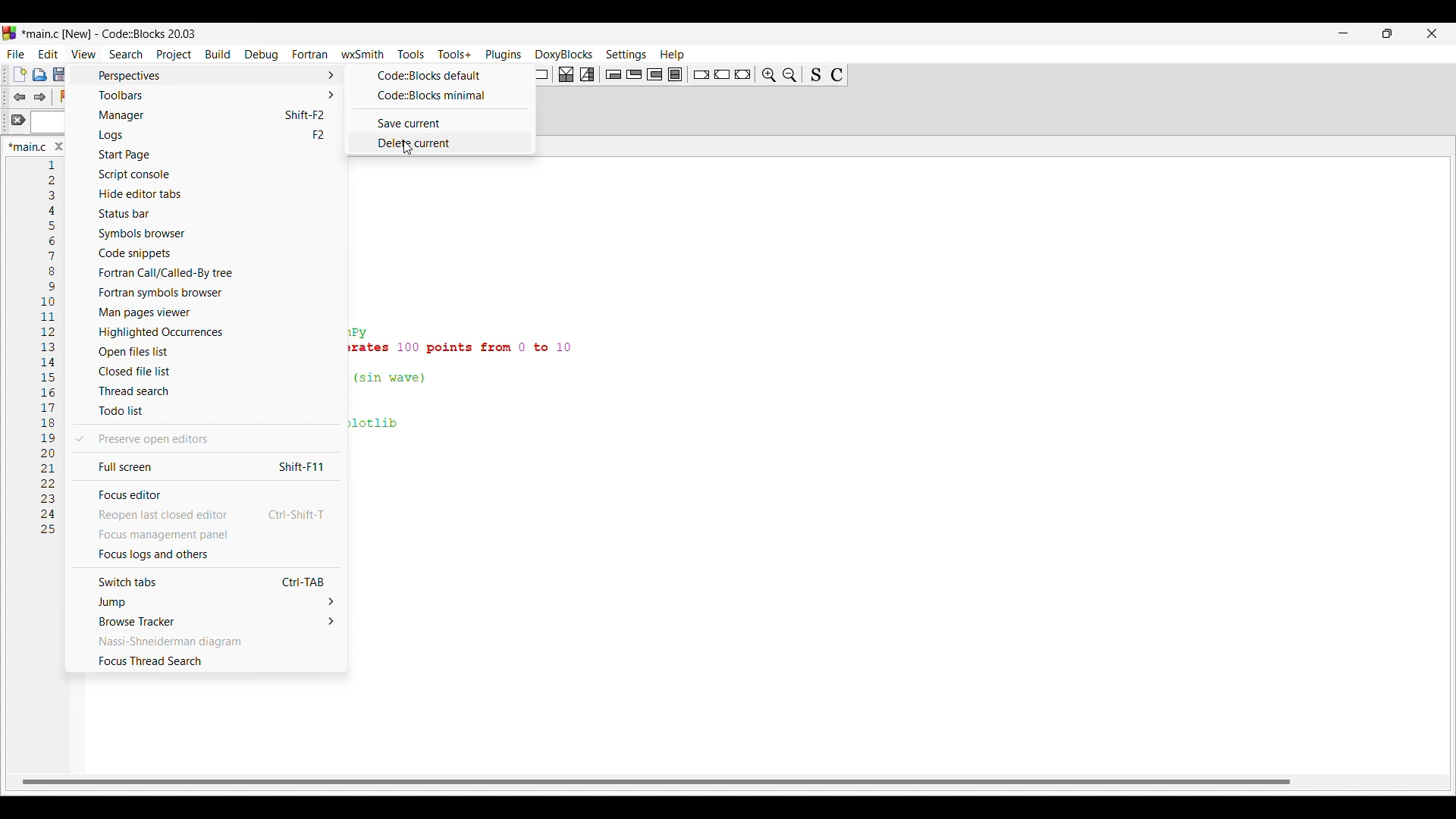 The width and height of the screenshot is (1456, 819). I want to click on View menu, so click(84, 54).